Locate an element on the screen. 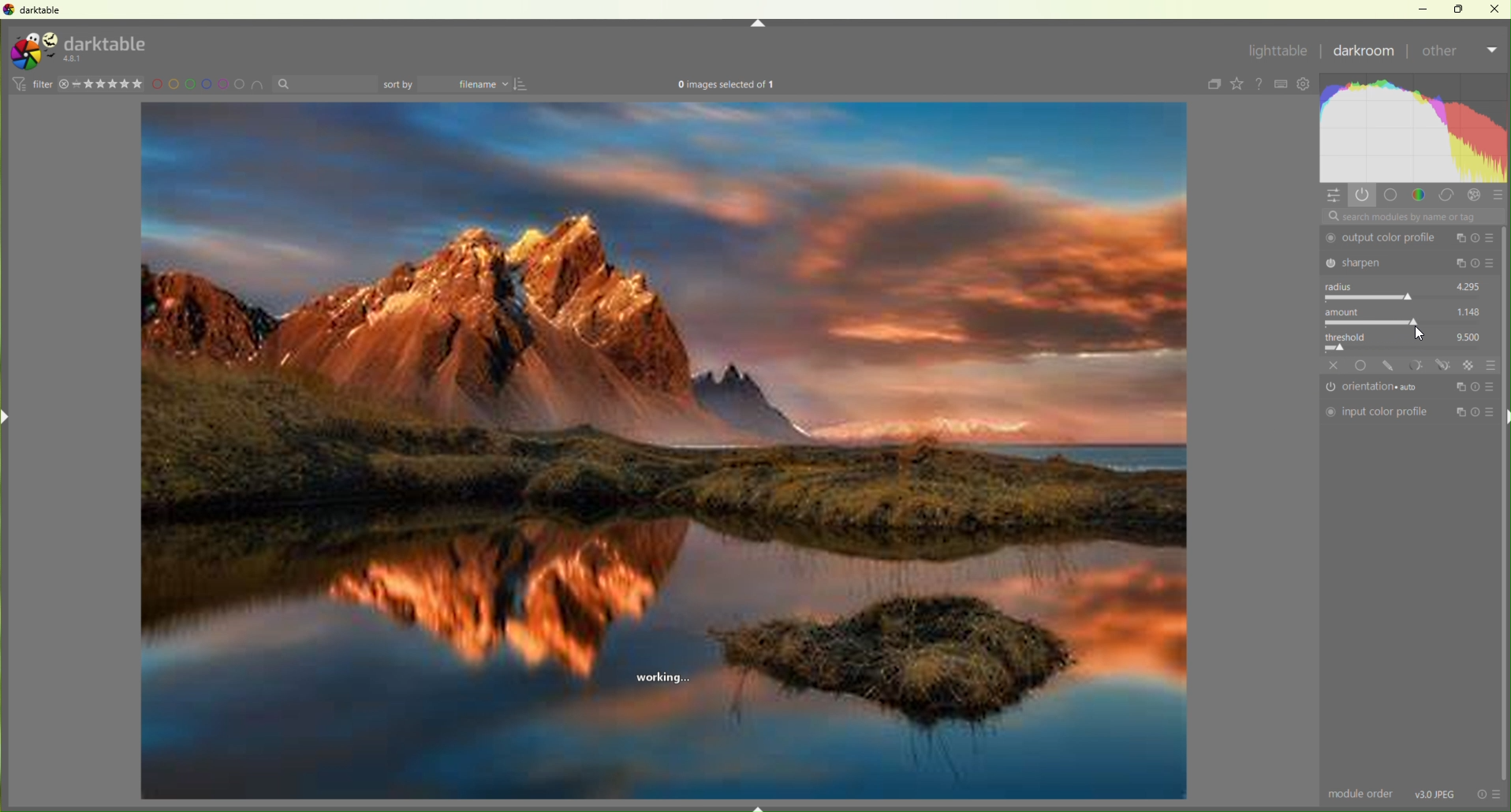 This screenshot has height=812, width=1511. base is located at coordinates (1391, 195).